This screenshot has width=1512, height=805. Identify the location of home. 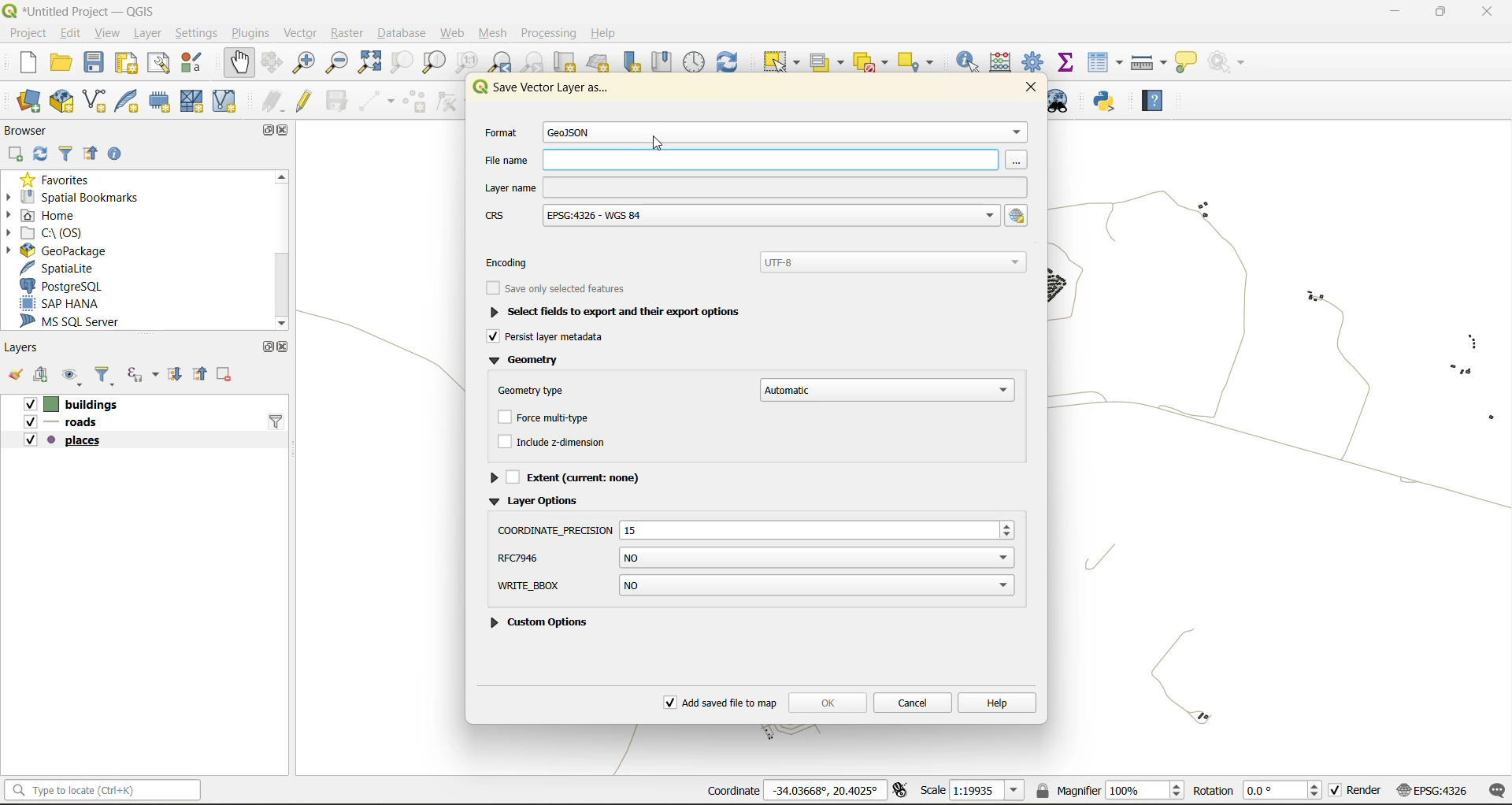
(58, 215).